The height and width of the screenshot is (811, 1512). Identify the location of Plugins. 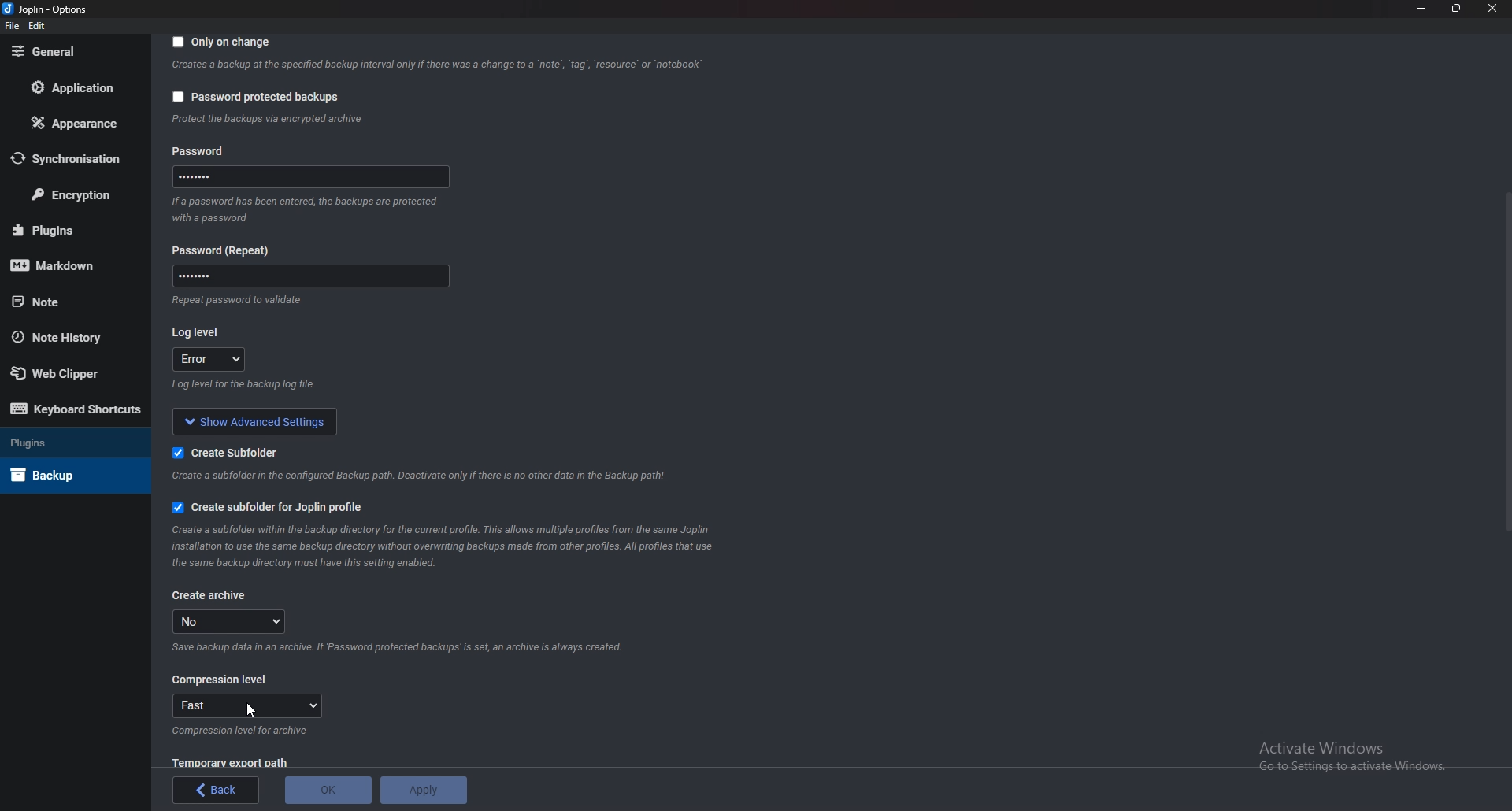
(67, 444).